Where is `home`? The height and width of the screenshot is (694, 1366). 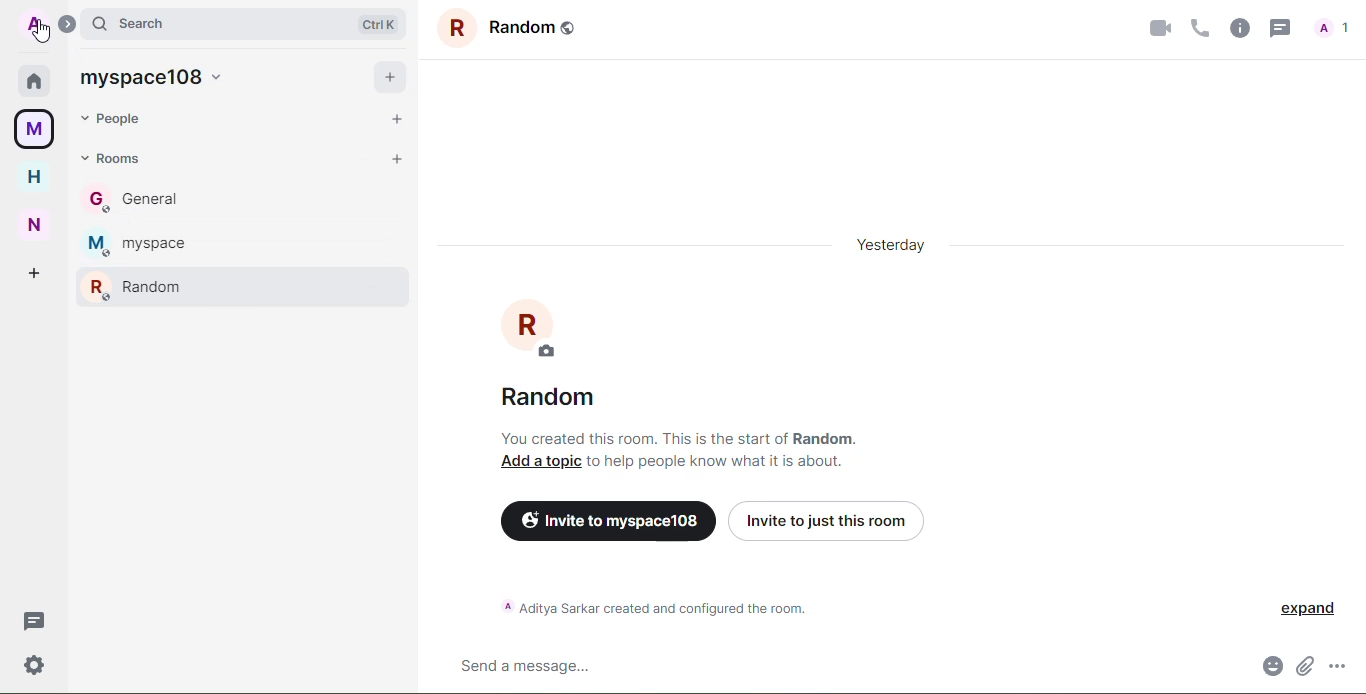 home is located at coordinates (33, 176).